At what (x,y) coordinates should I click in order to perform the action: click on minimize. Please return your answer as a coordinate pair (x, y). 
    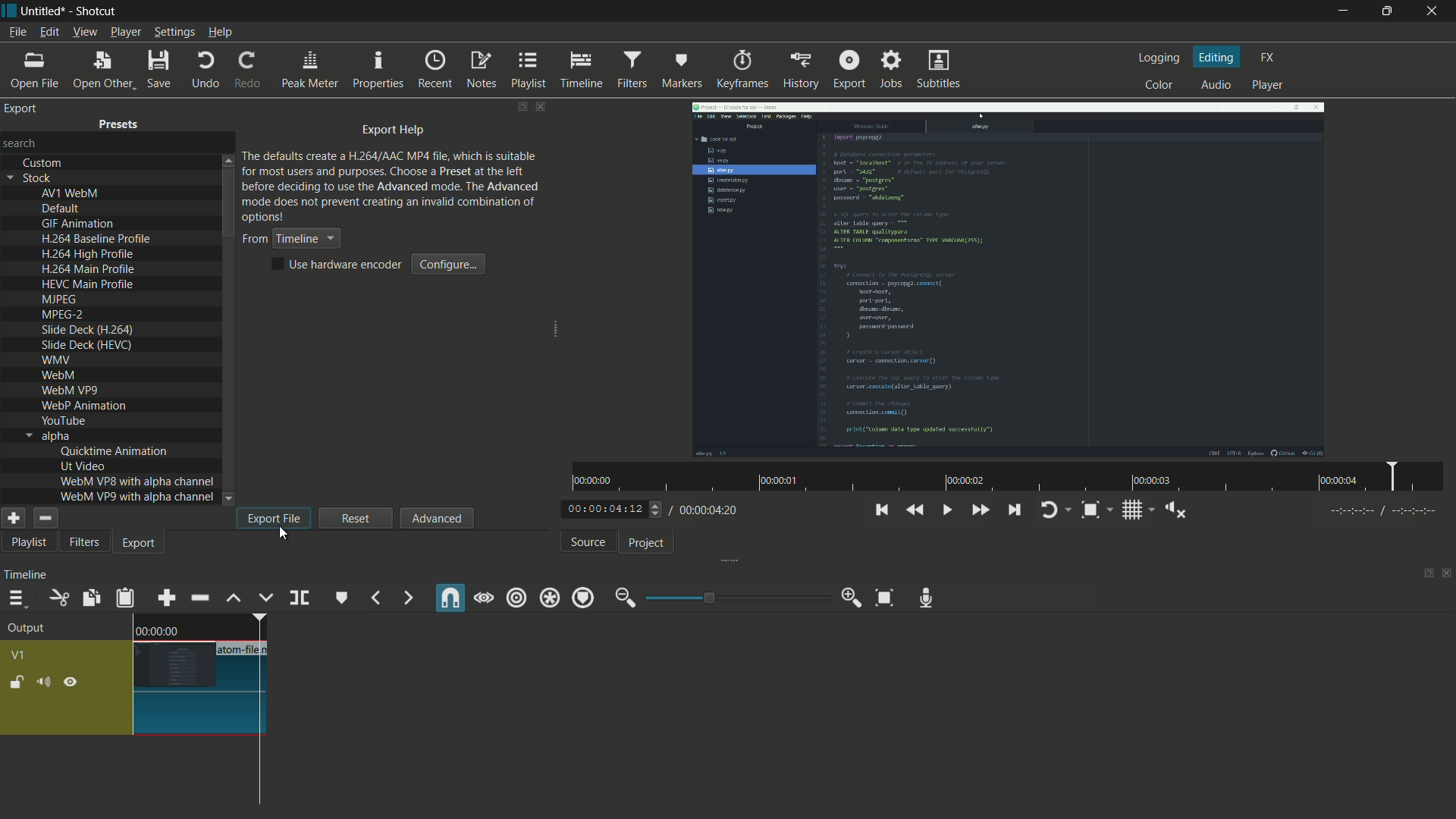
    Looking at the image, I should click on (1341, 11).